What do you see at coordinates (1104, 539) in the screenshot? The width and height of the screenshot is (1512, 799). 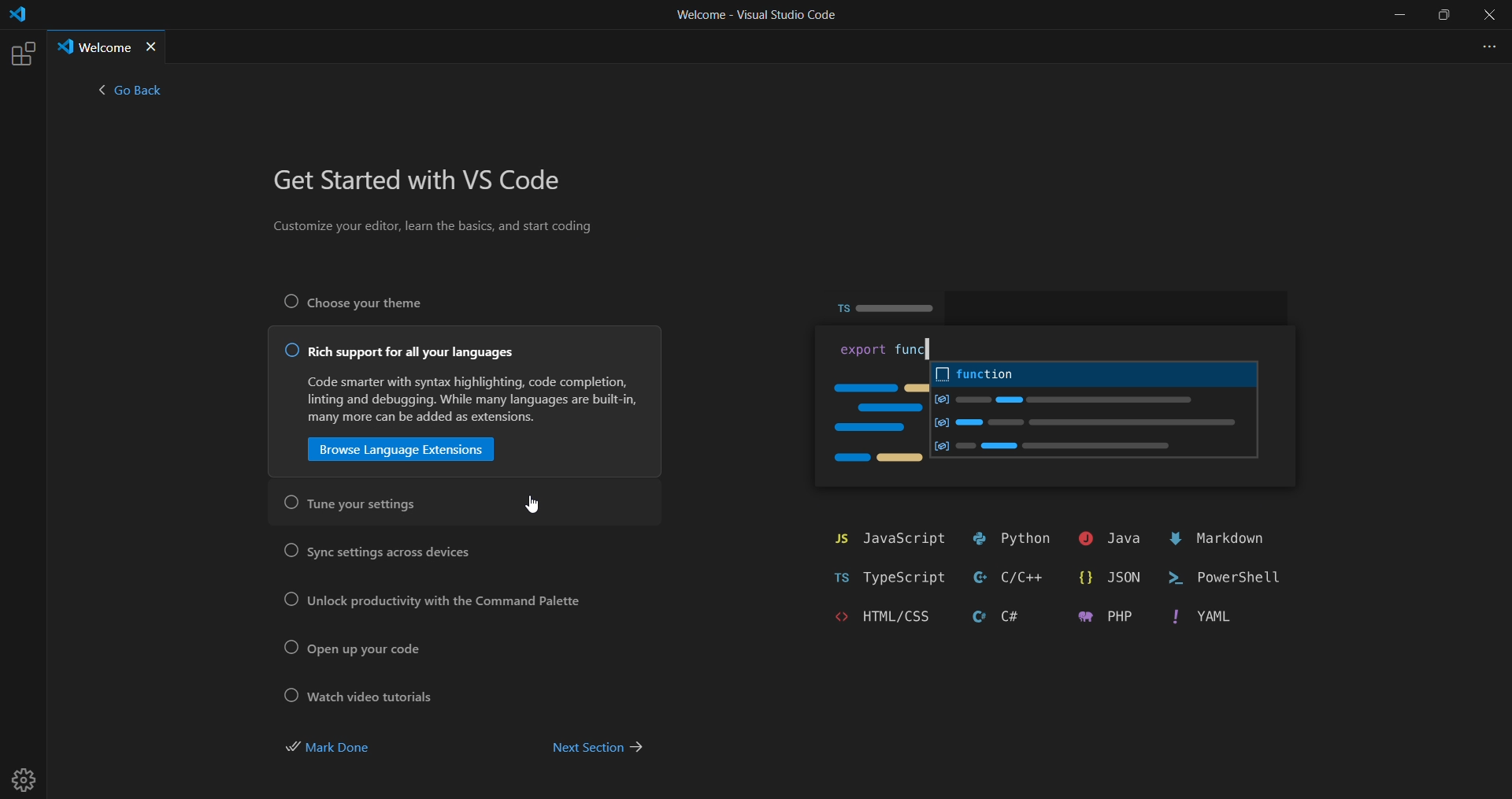 I see `Java` at bounding box center [1104, 539].